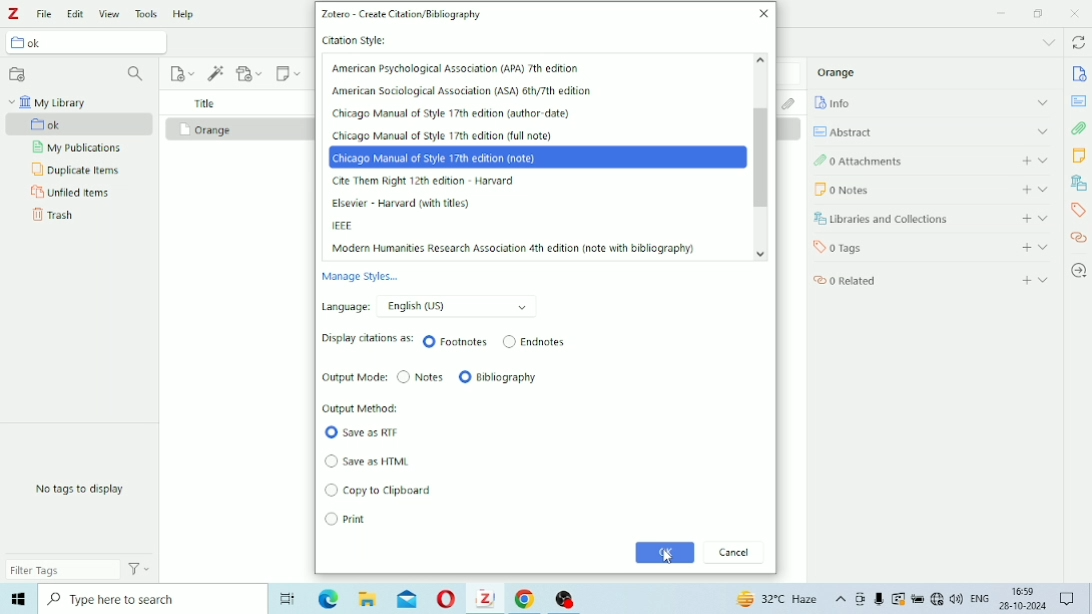 The height and width of the screenshot is (614, 1092). I want to click on American Sociological Association (ASA) 6th/7th edition, so click(463, 90).